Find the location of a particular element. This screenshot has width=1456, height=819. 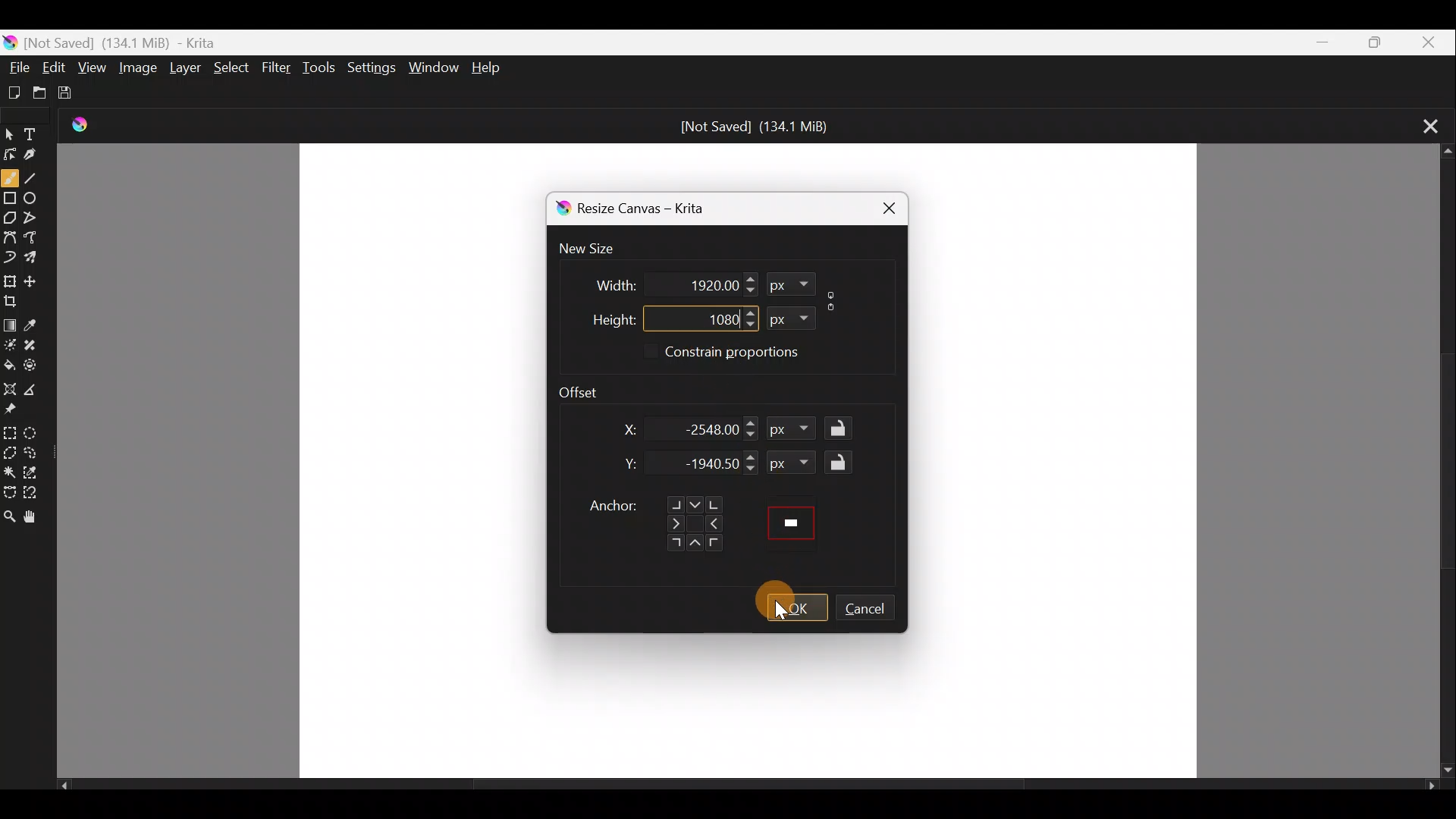

Dynamic brush tool is located at coordinates (10, 256).